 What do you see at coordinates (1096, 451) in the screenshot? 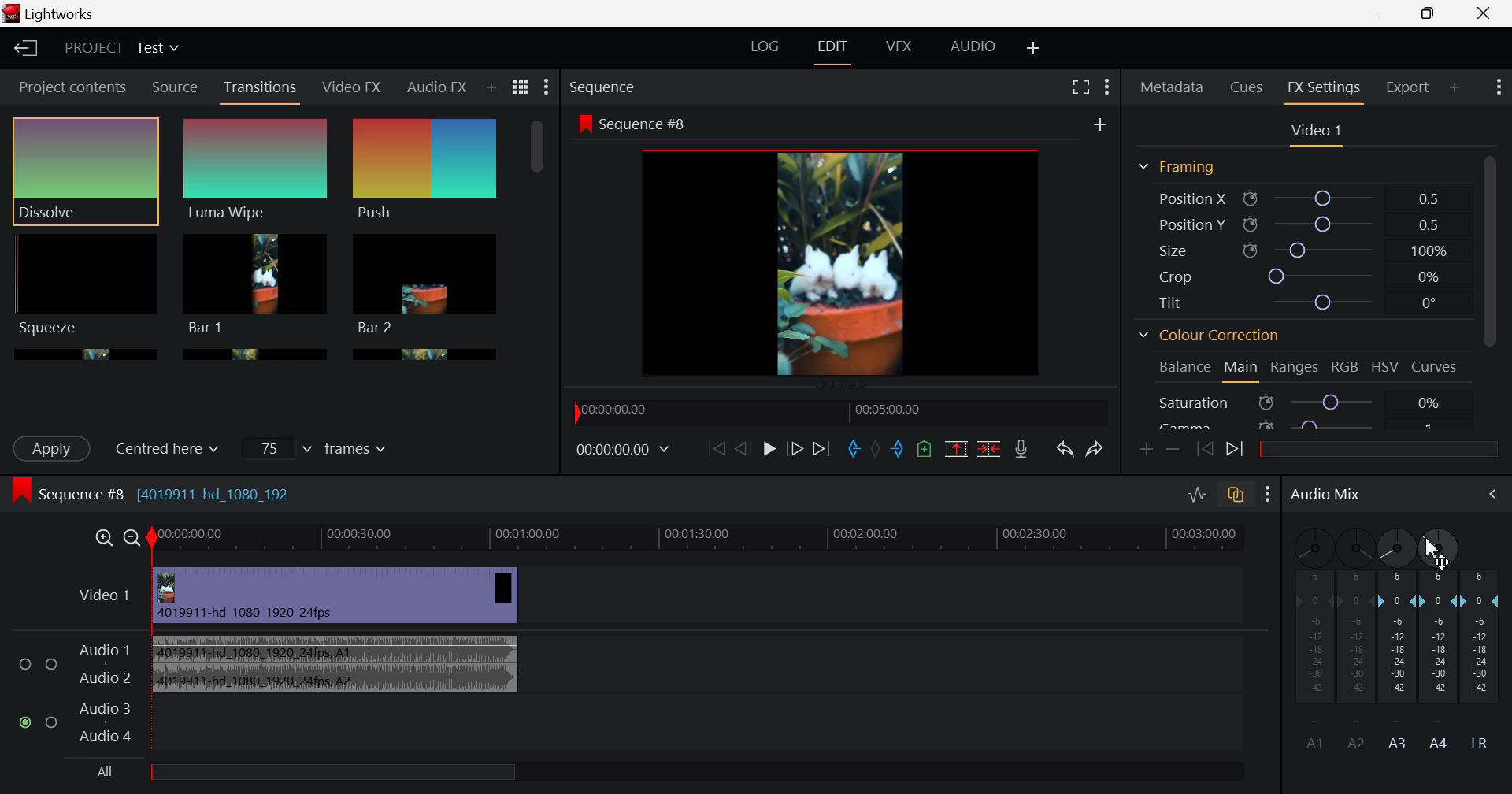
I see `Redo` at bounding box center [1096, 451].